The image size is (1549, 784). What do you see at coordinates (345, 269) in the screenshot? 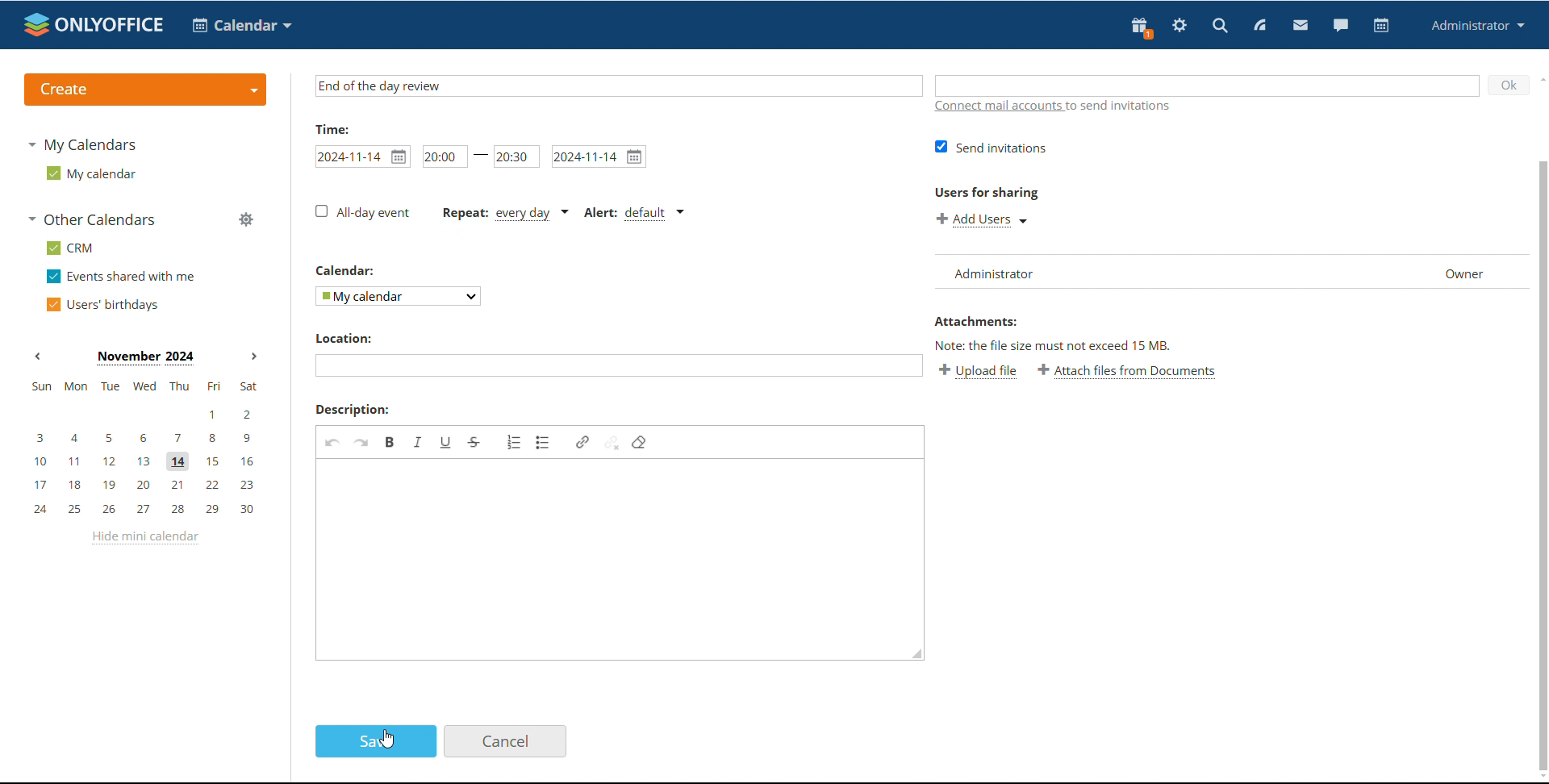
I see `Calendar` at bounding box center [345, 269].